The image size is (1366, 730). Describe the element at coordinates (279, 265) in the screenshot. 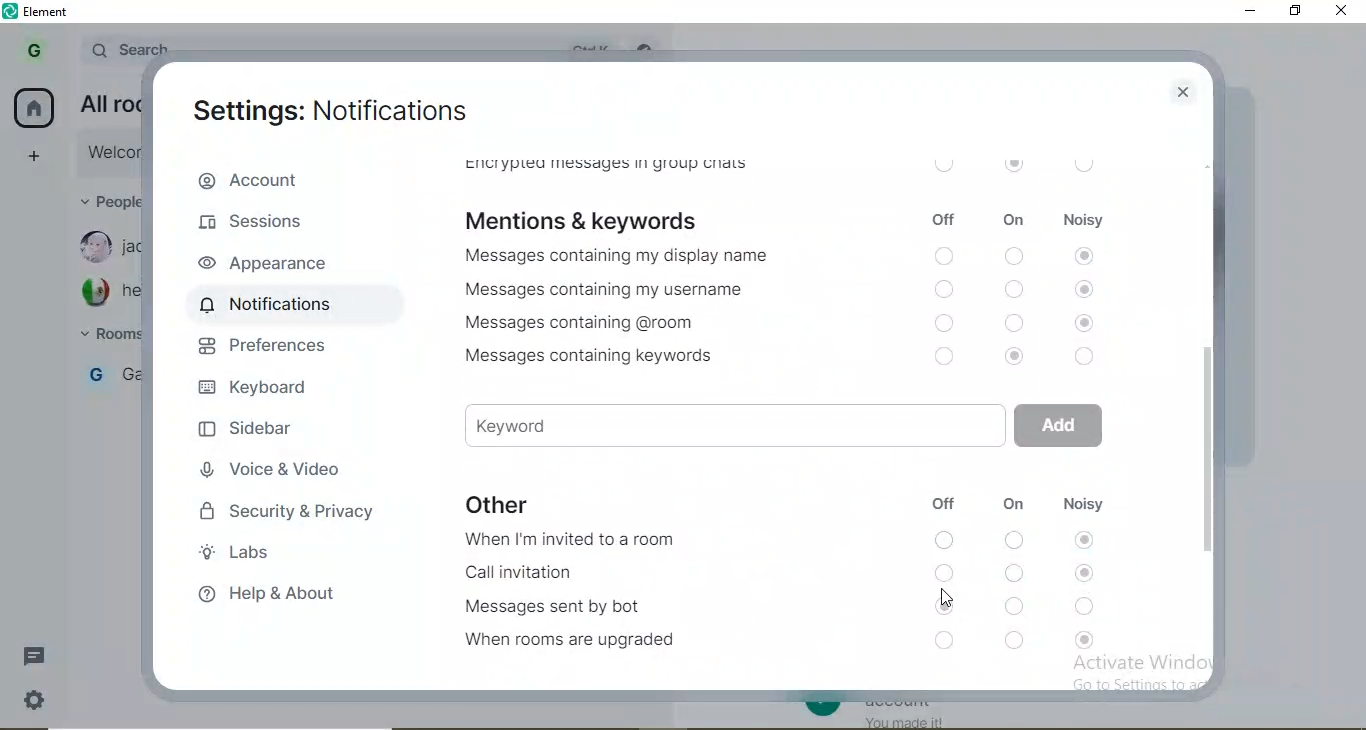

I see `appearances` at that location.